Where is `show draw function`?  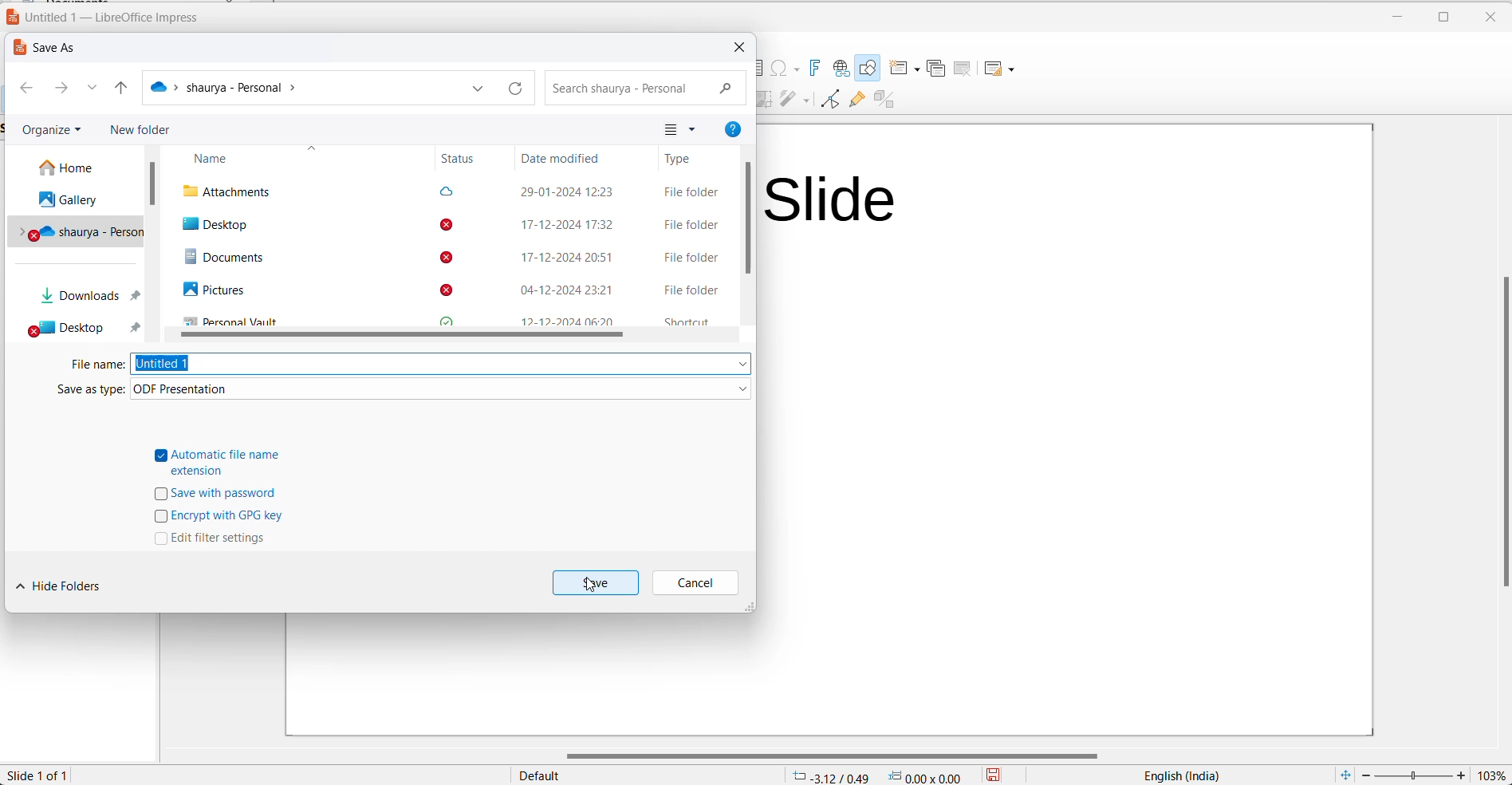
show draw function is located at coordinates (868, 69).